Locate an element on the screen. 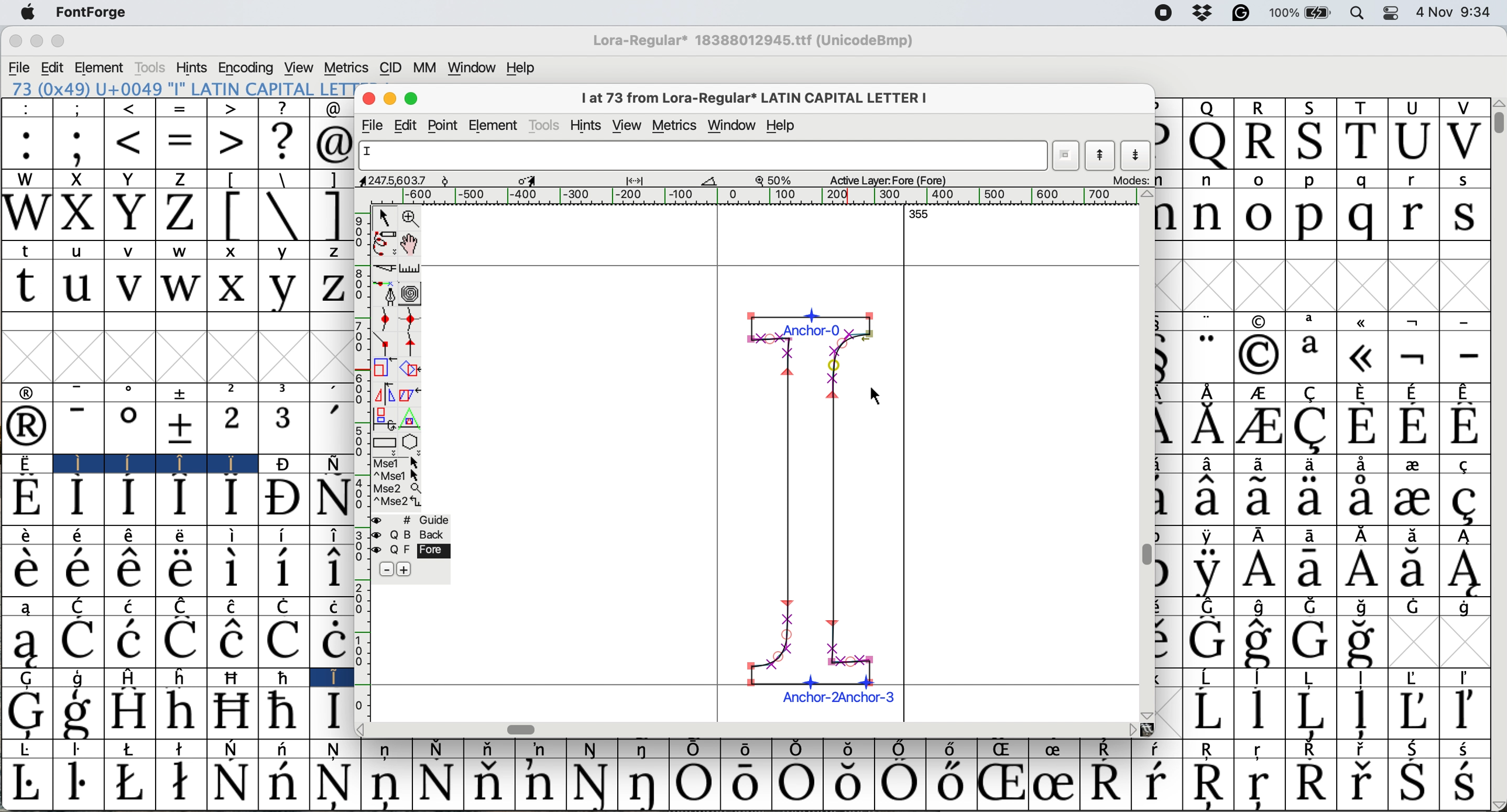 This screenshot has width=1507, height=812. Symbol is located at coordinates (130, 782).